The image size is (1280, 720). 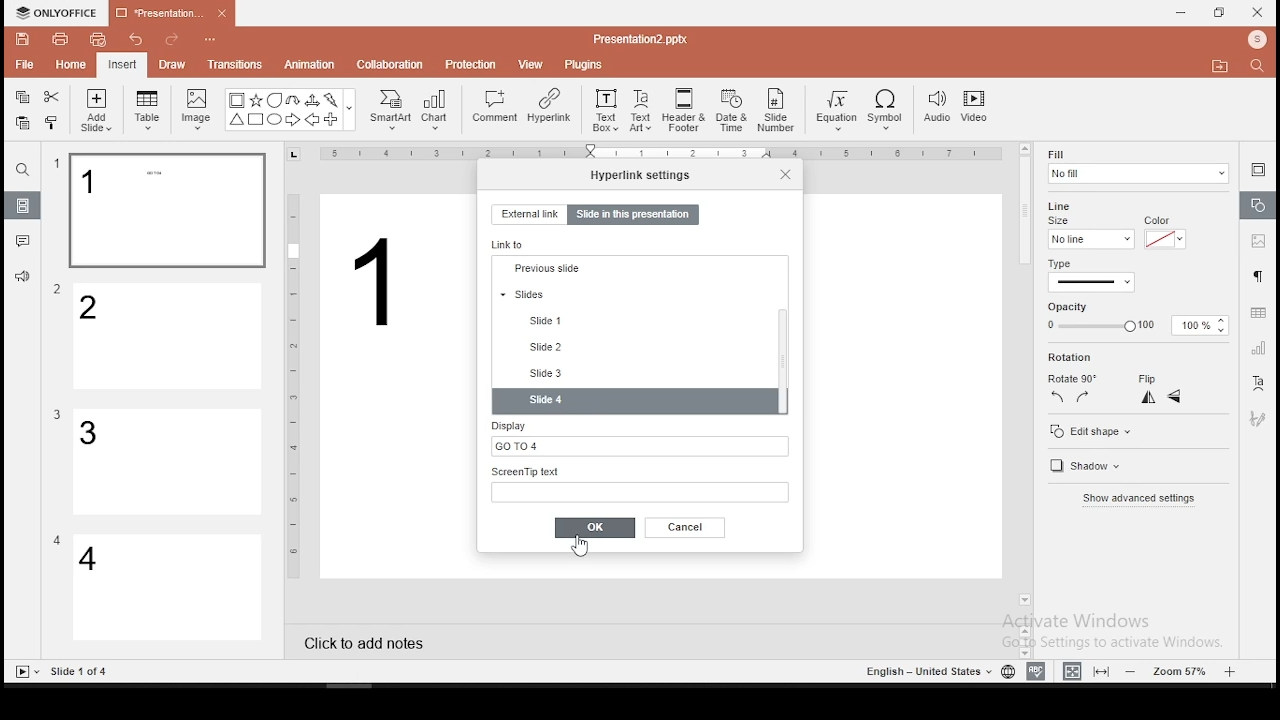 What do you see at coordinates (1084, 396) in the screenshot?
I see `rotate 90 clockwise` at bounding box center [1084, 396].